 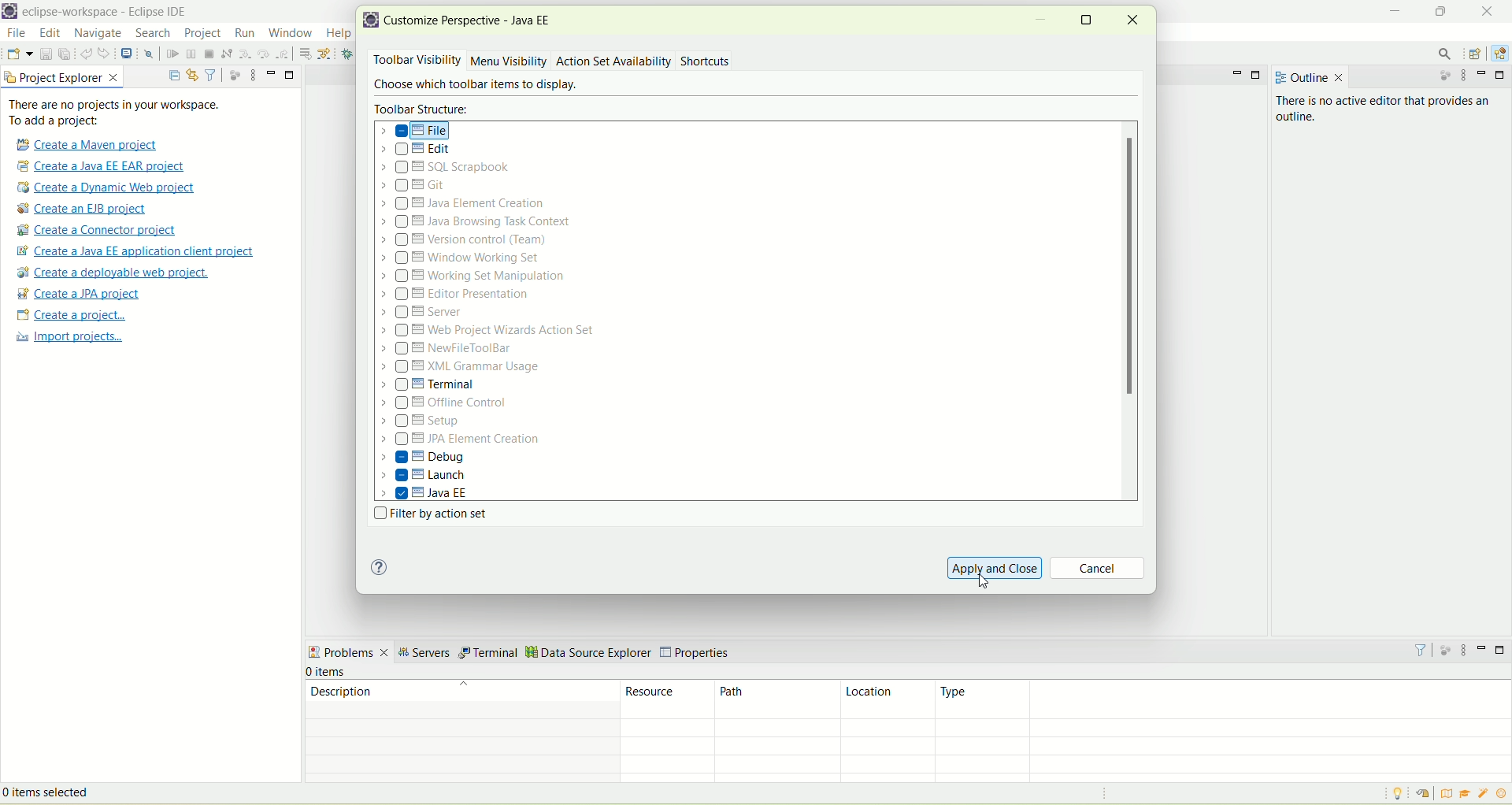 I want to click on redo, so click(x=105, y=54).